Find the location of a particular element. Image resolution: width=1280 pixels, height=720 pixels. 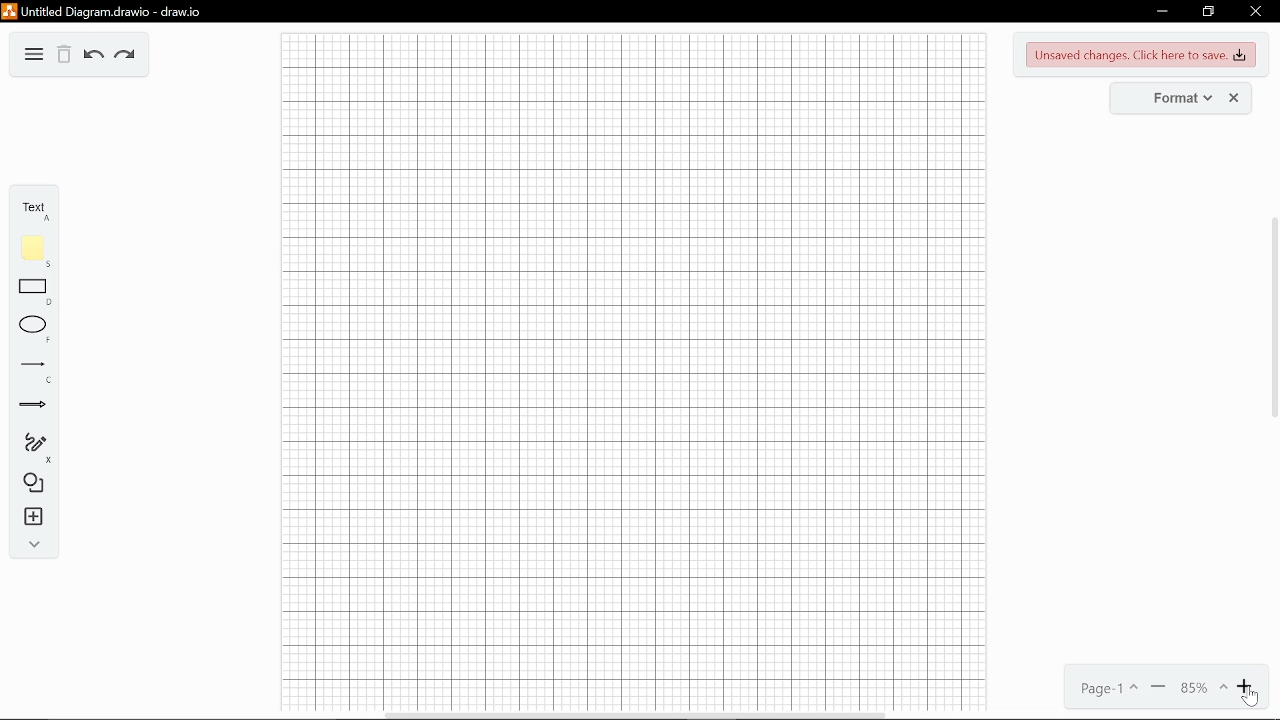

current page is located at coordinates (1110, 687).